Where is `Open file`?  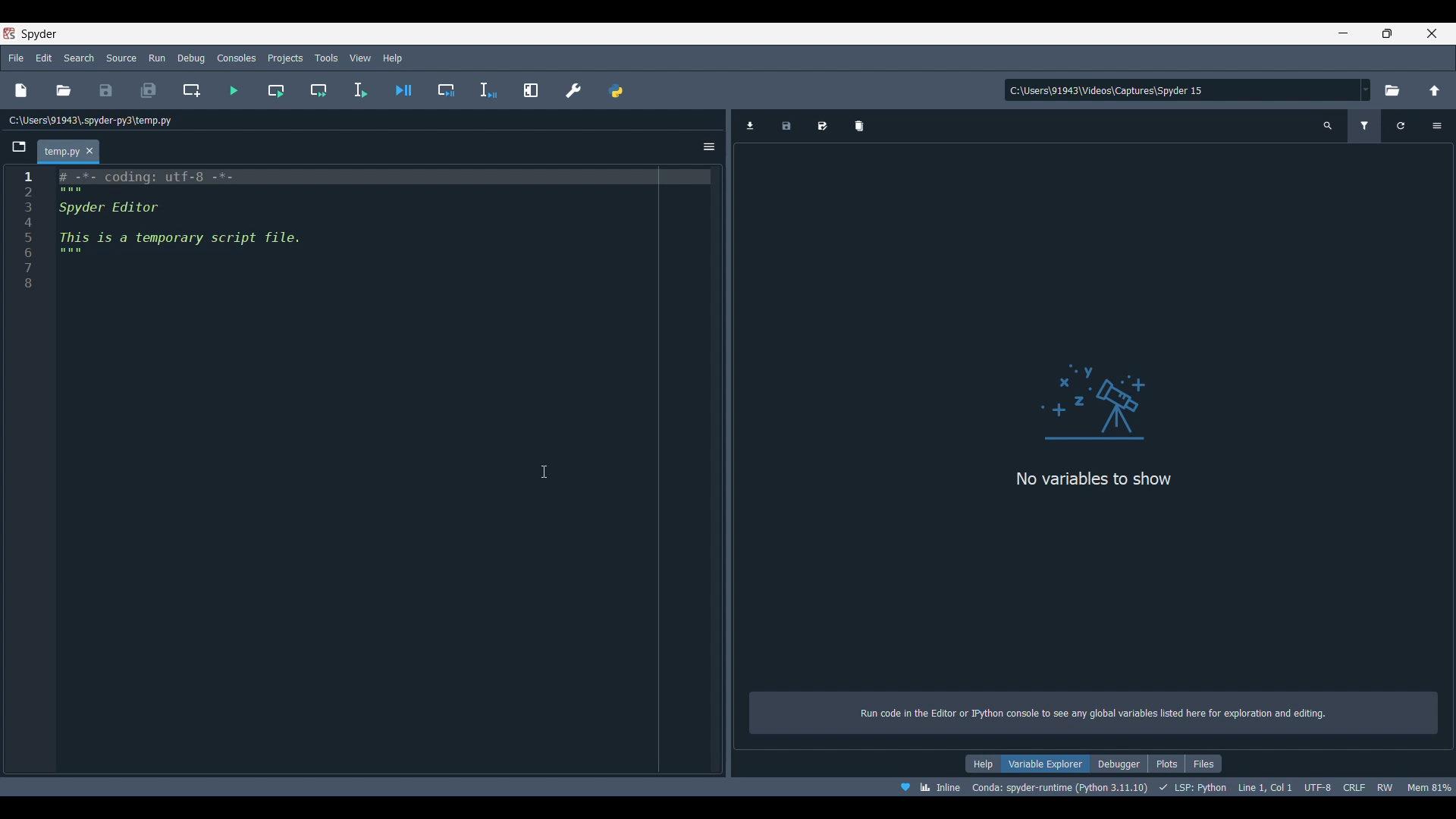 Open file is located at coordinates (64, 90).